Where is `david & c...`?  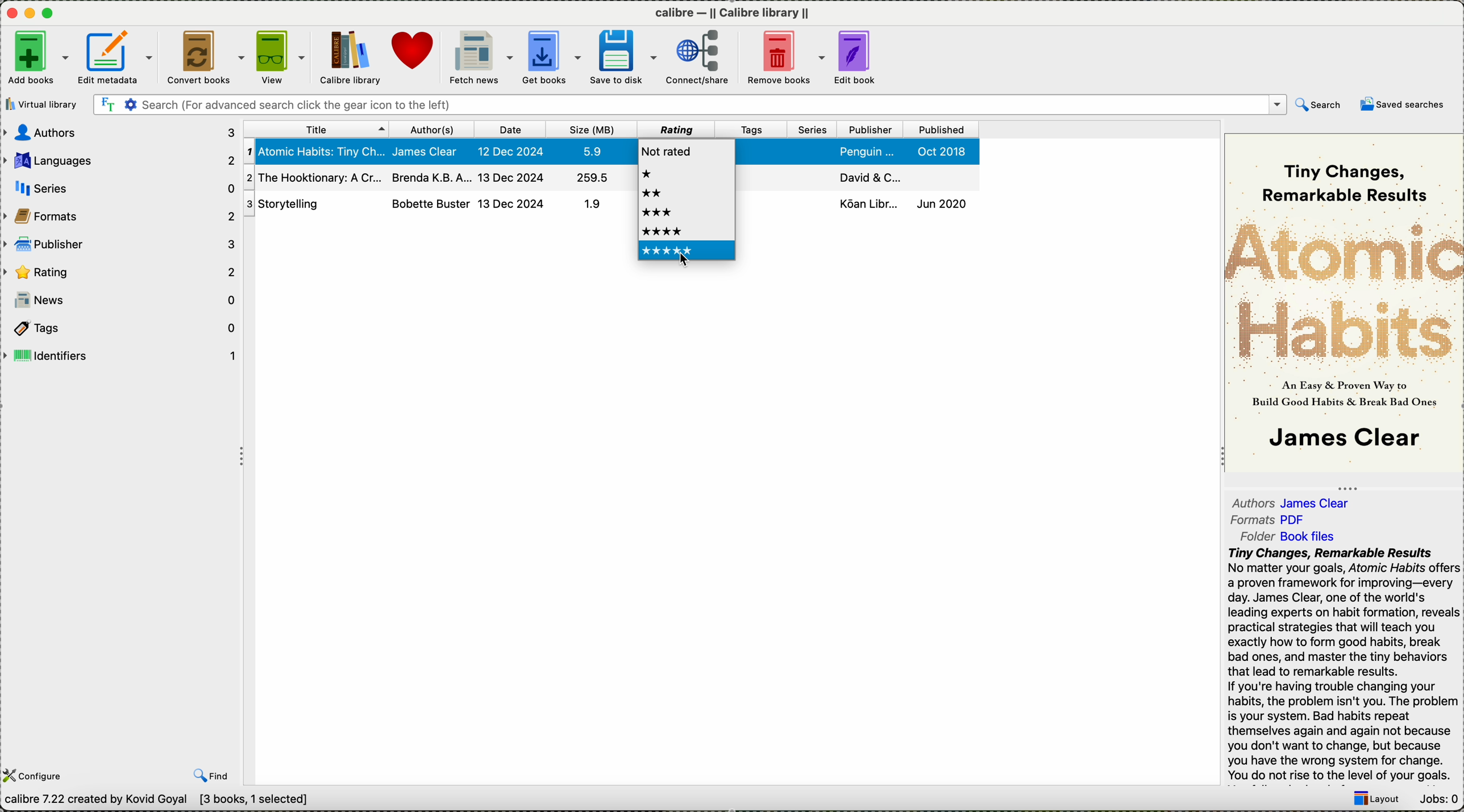 david & c... is located at coordinates (871, 176).